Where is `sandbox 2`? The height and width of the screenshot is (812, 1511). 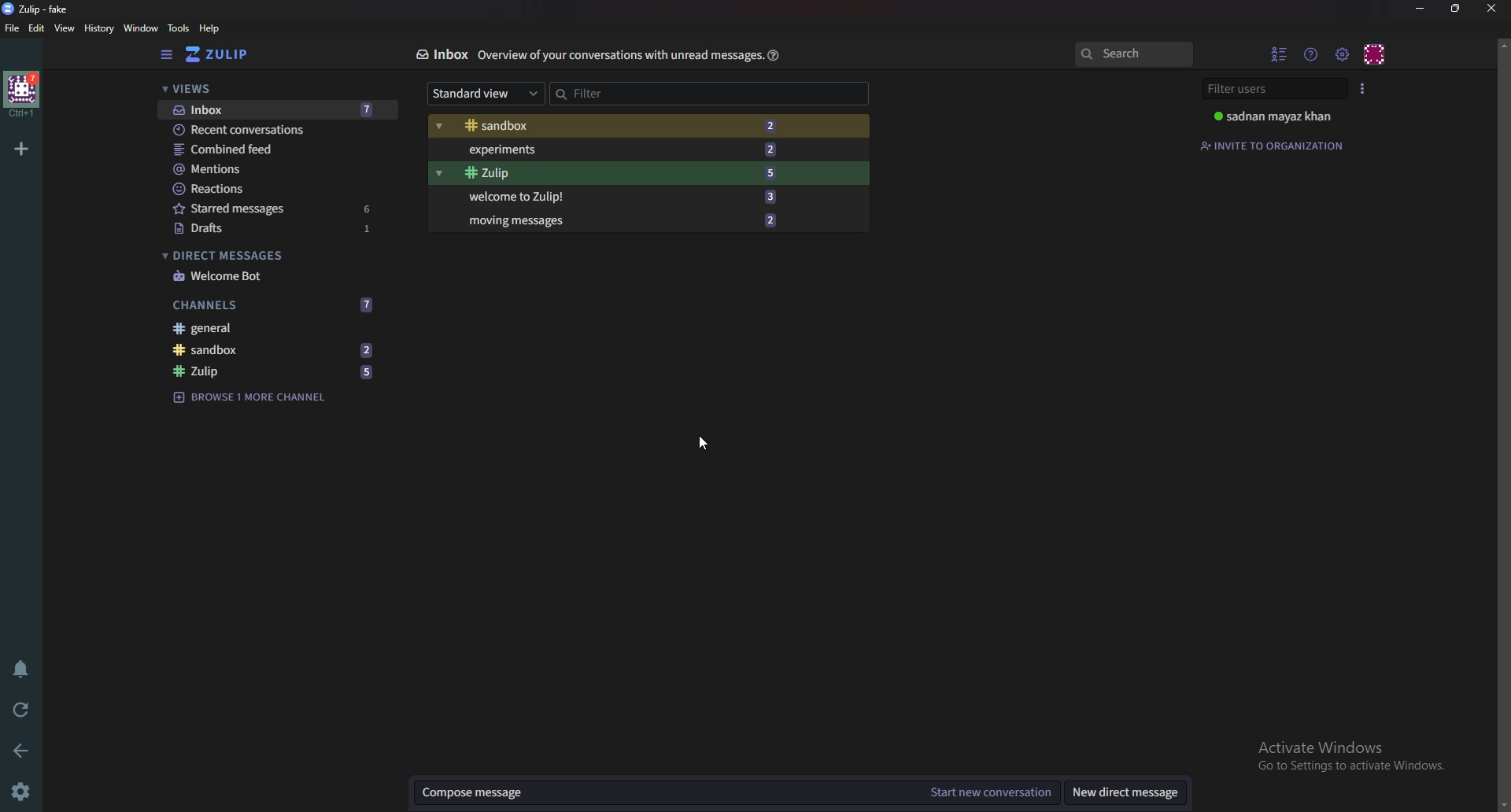
sandbox 2 is located at coordinates (271, 350).